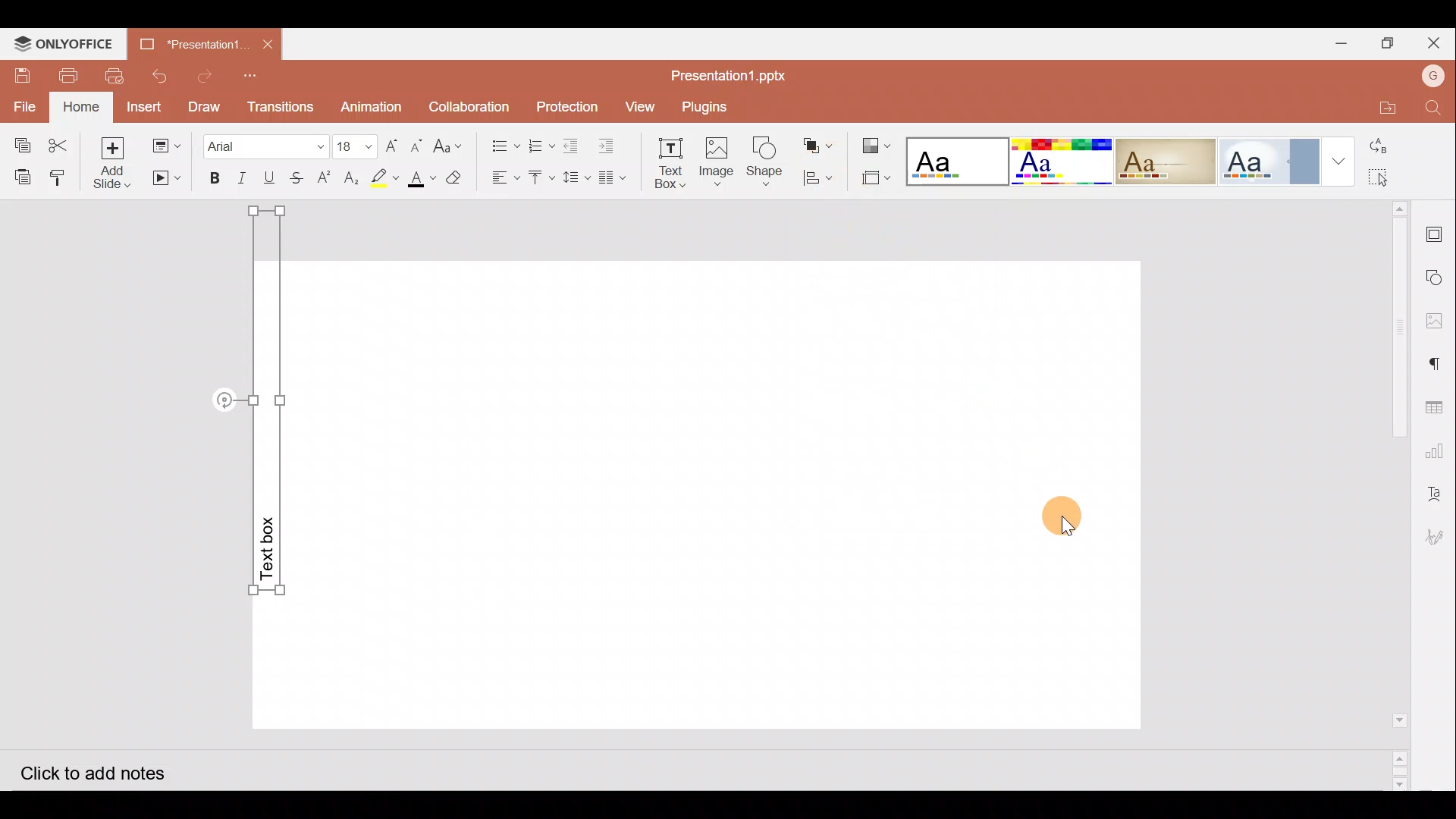 The height and width of the screenshot is (819, 1456). Describe the element at coordinates (1438, 405) in the screenshot. I see `Table settings` at that location.